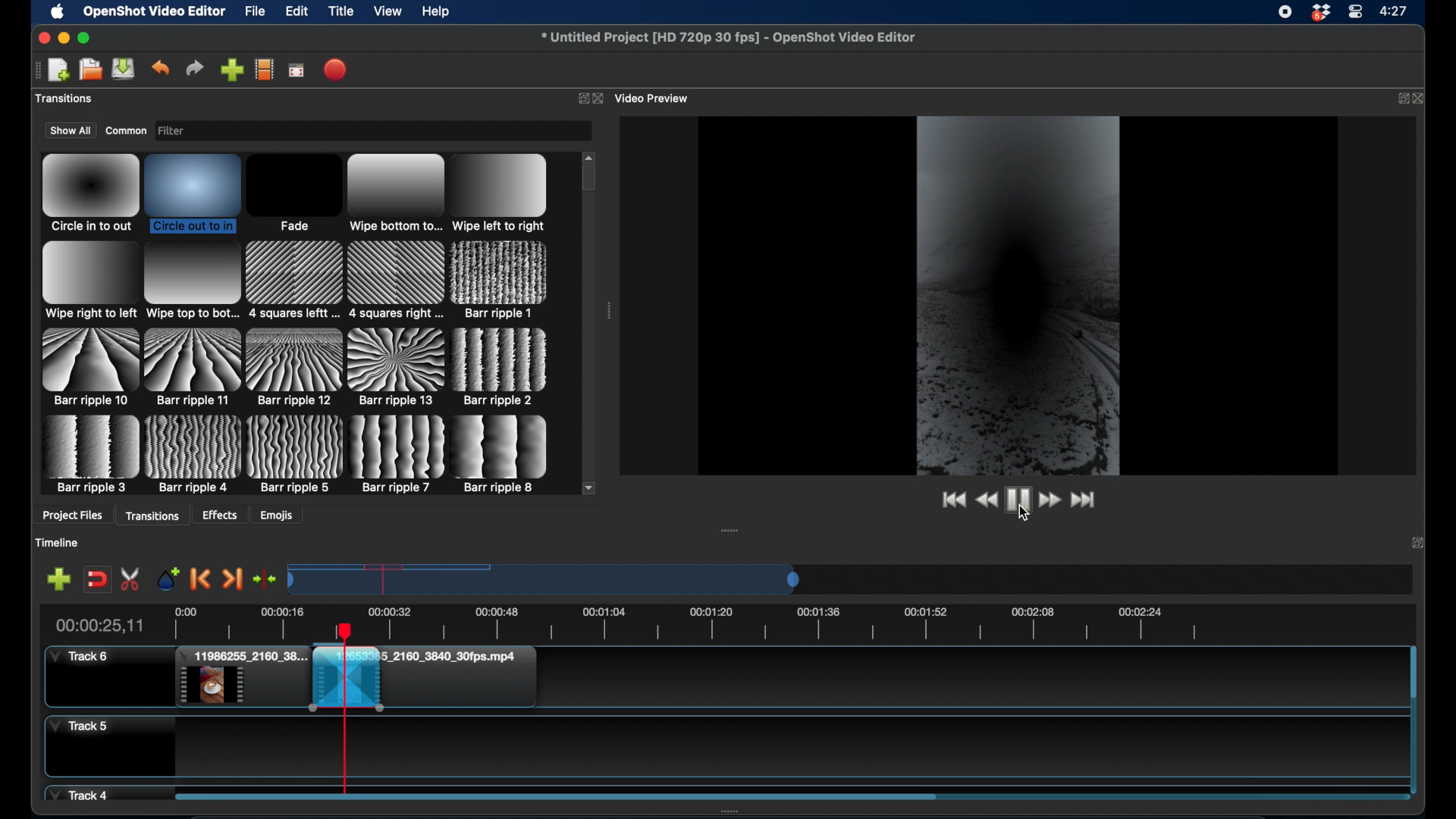 Image resolution: width=1456 pixels, height=819 pixels. What do you see at coordinates (221, 515) in the screenshot?
I see `effects` at bounding box center [221, 515].